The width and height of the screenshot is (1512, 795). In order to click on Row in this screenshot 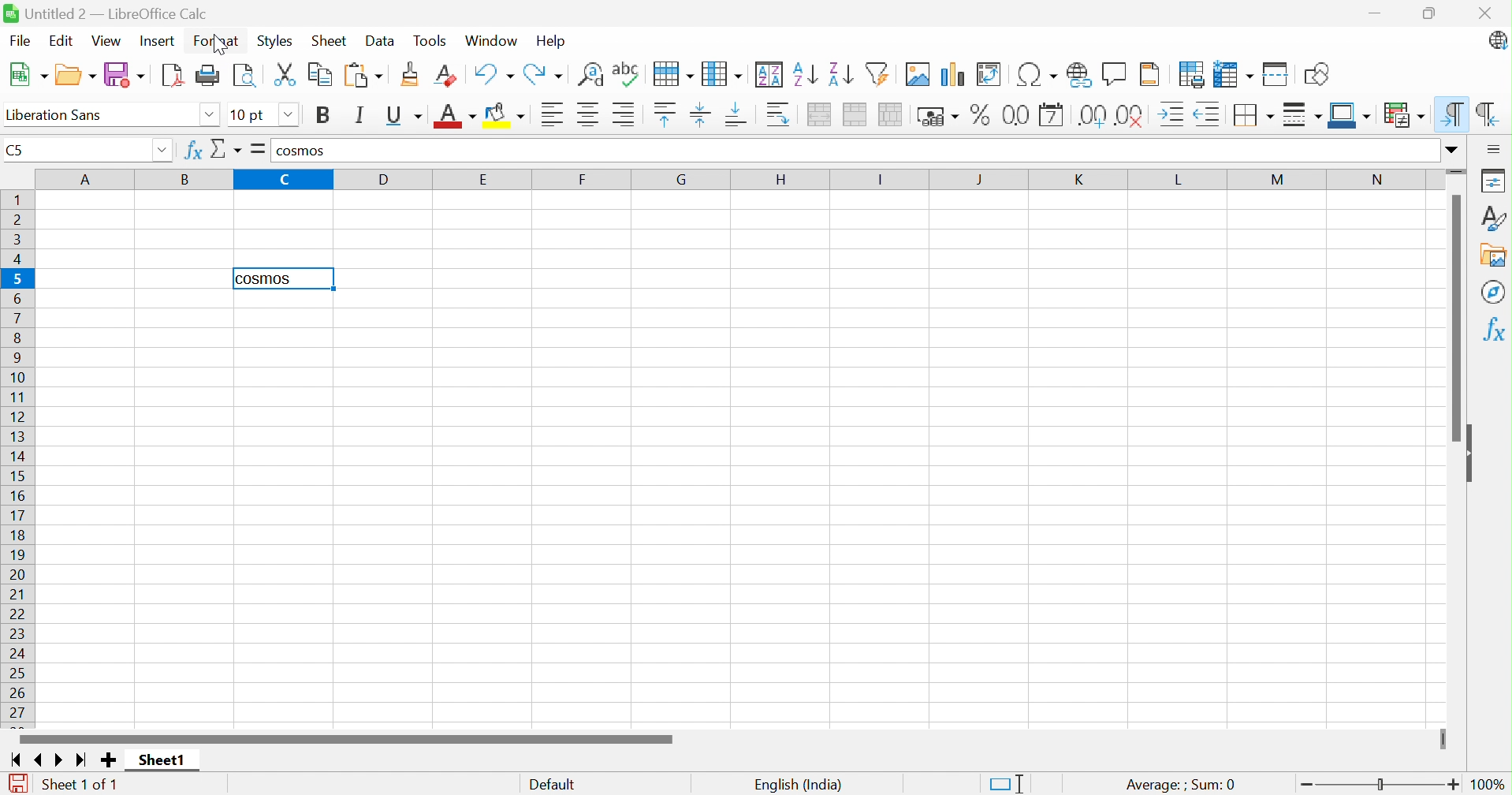, I will do `click(672, 74)`.